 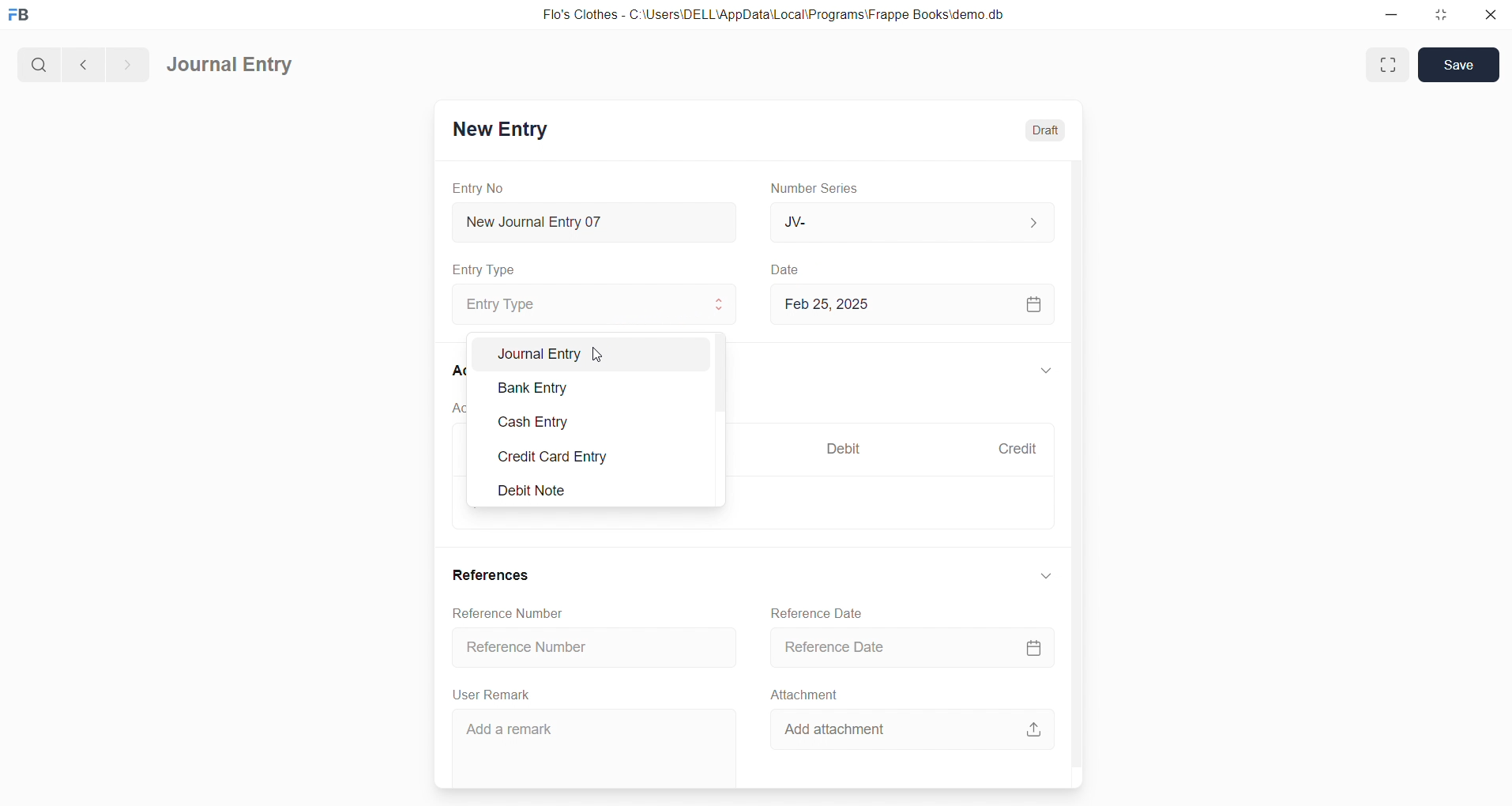 What do you see at coordinates (1017, 448) in the screenshot?
I see `Credit` at bounding box center [1017, 448].